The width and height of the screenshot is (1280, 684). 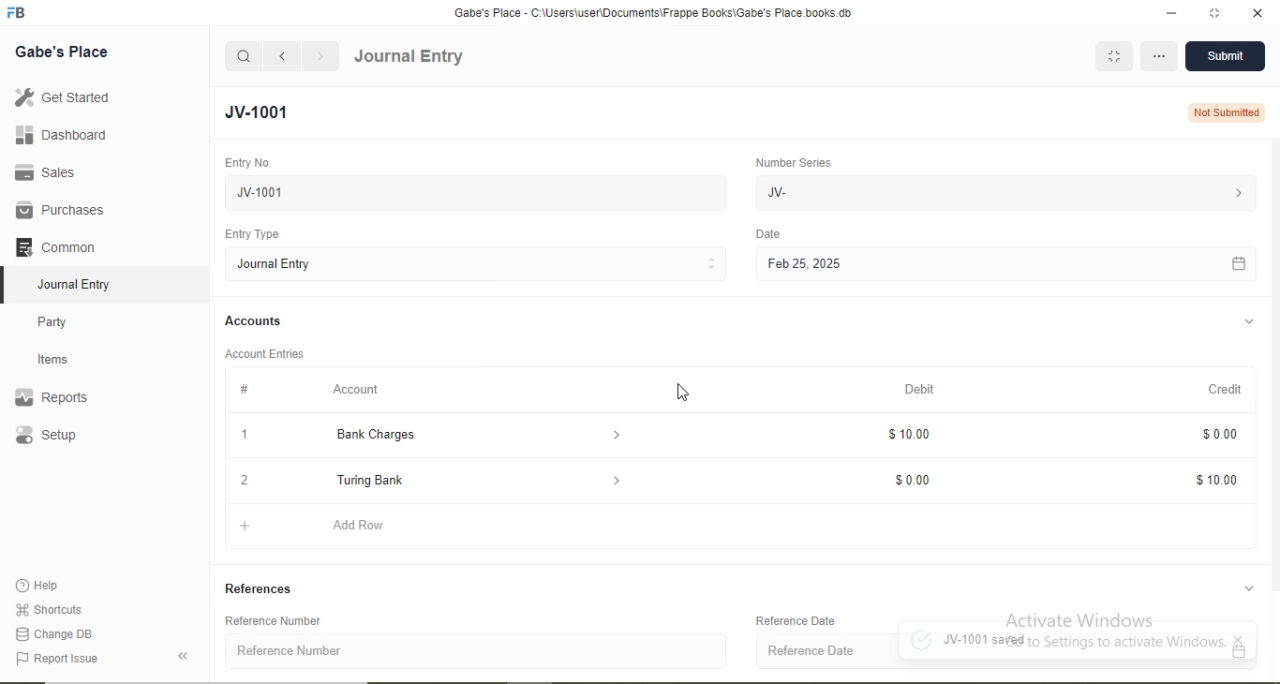 What do you see at coordinates (1005, 265) in the screenshot?
I see `Feb 25, 2025` at bounding box center [1005, 265].